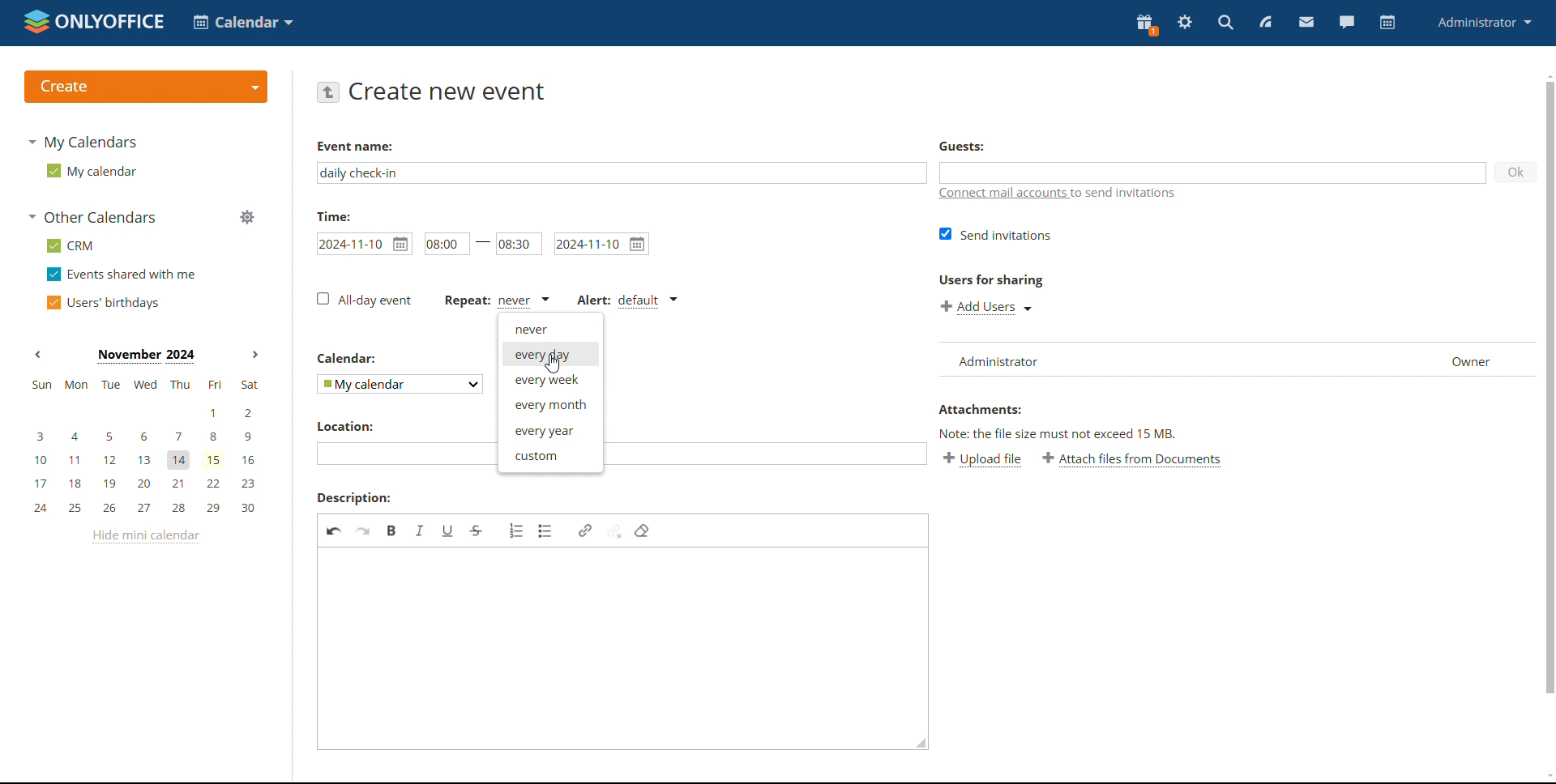 The image size is (1556, 784). I want to click on scroll down, so click(1546, 777).